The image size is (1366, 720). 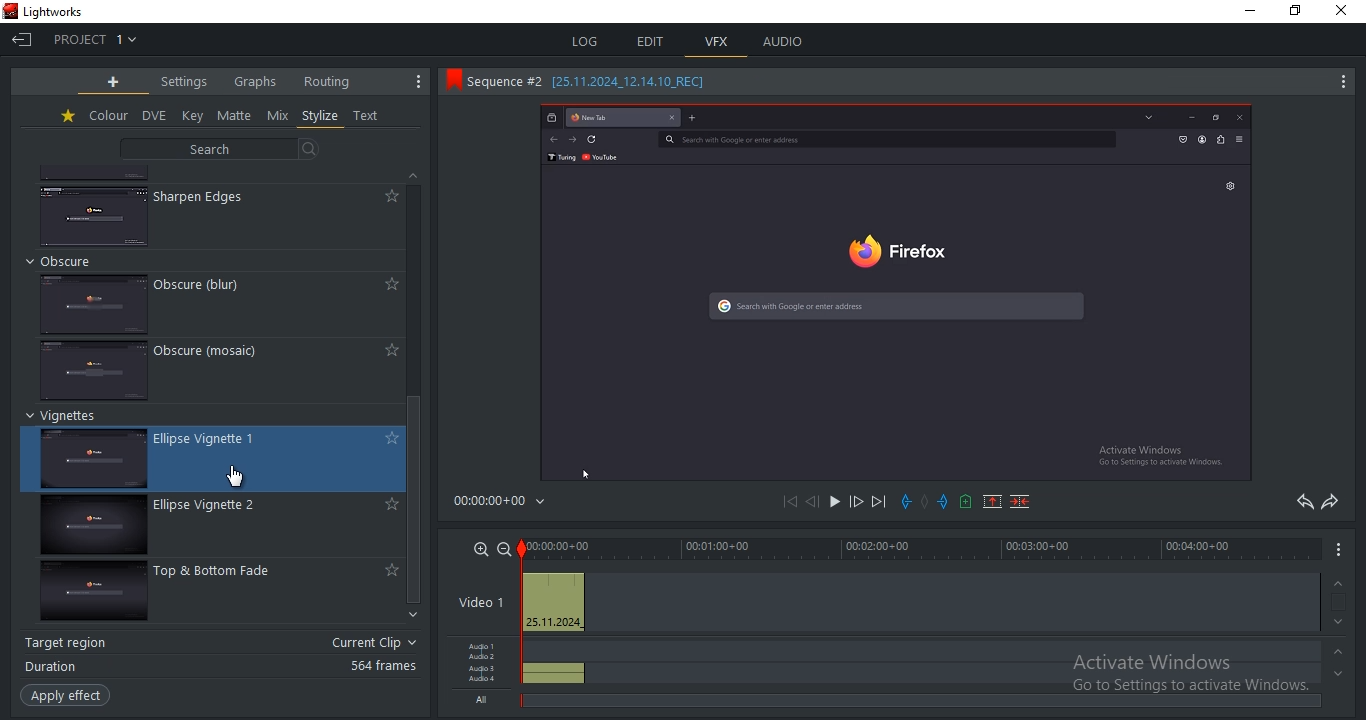 I want to click on obsure, so click(x=95, y=369).